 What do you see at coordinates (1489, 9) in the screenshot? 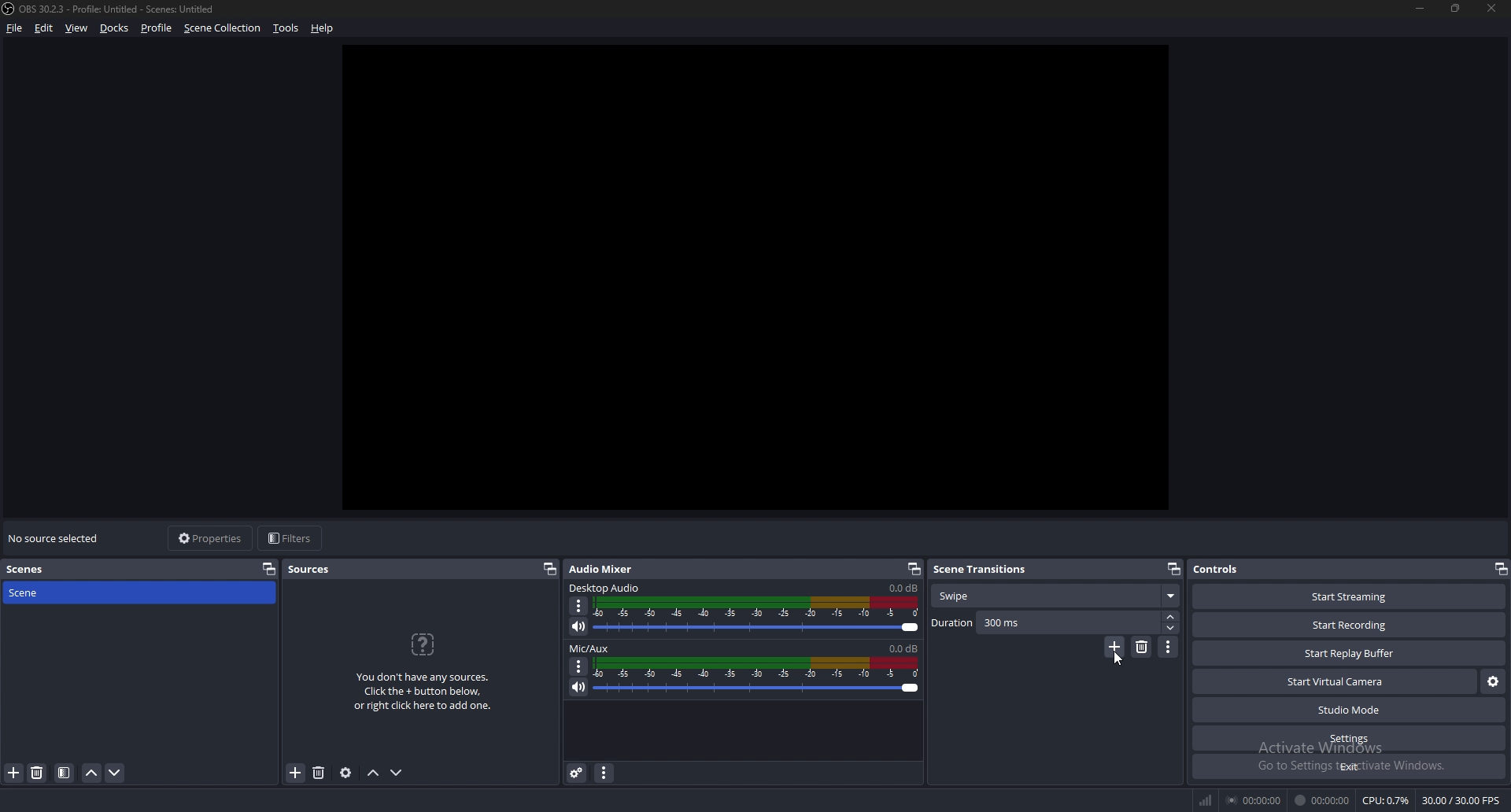
I see `close` at bounding box center [1489, 9].